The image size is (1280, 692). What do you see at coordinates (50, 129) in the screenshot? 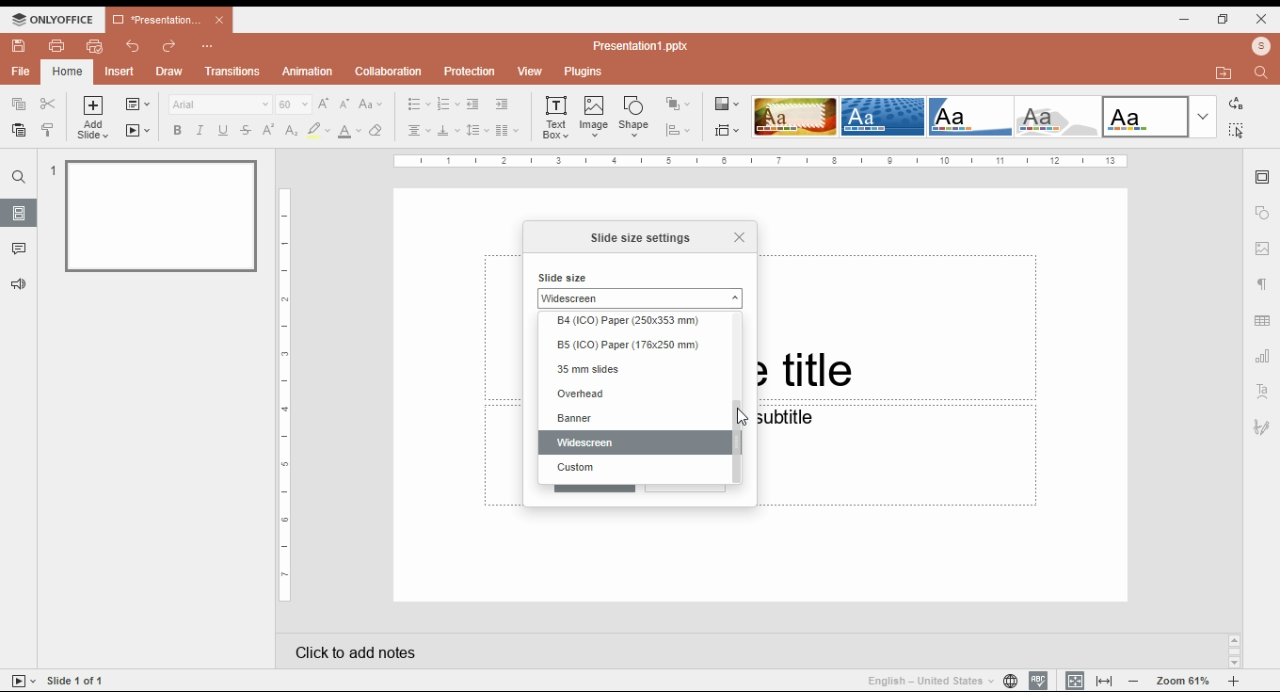
I see `copy style` at bounding box center [50, 129].